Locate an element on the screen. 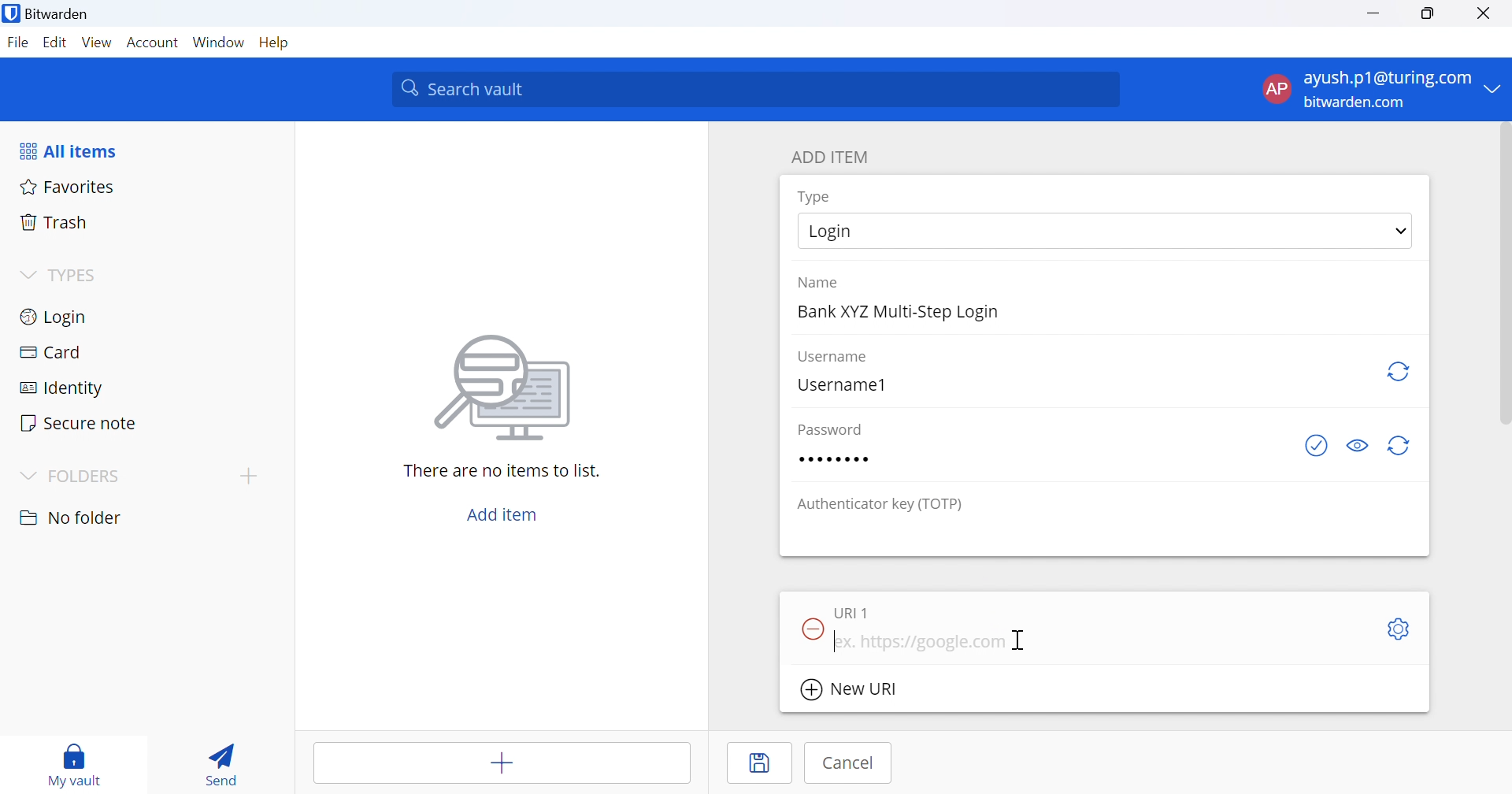  Check if password has been exposed is located at coordinates (1316, 449).